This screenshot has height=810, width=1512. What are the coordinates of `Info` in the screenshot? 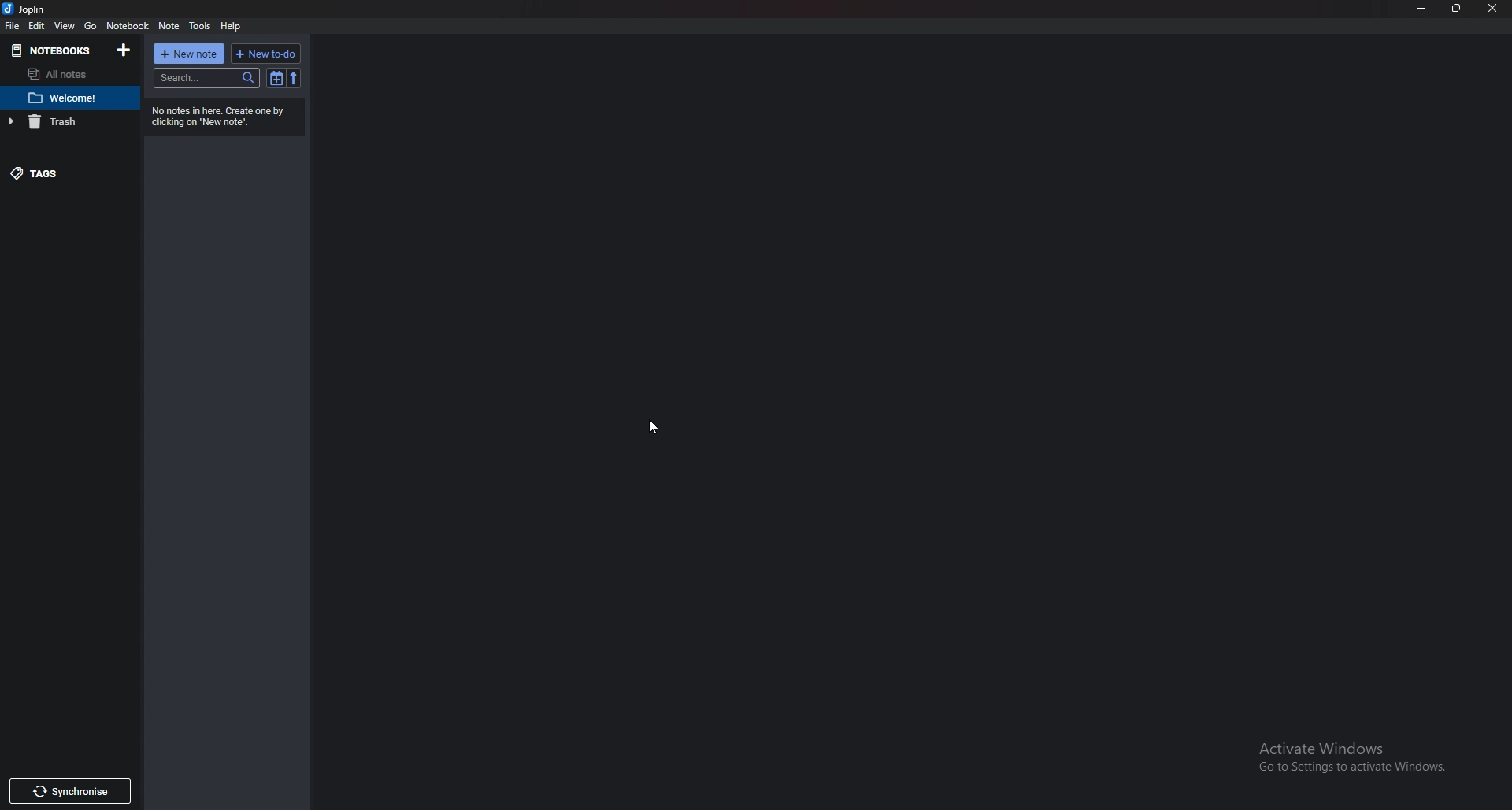 It's located at (223, 117).